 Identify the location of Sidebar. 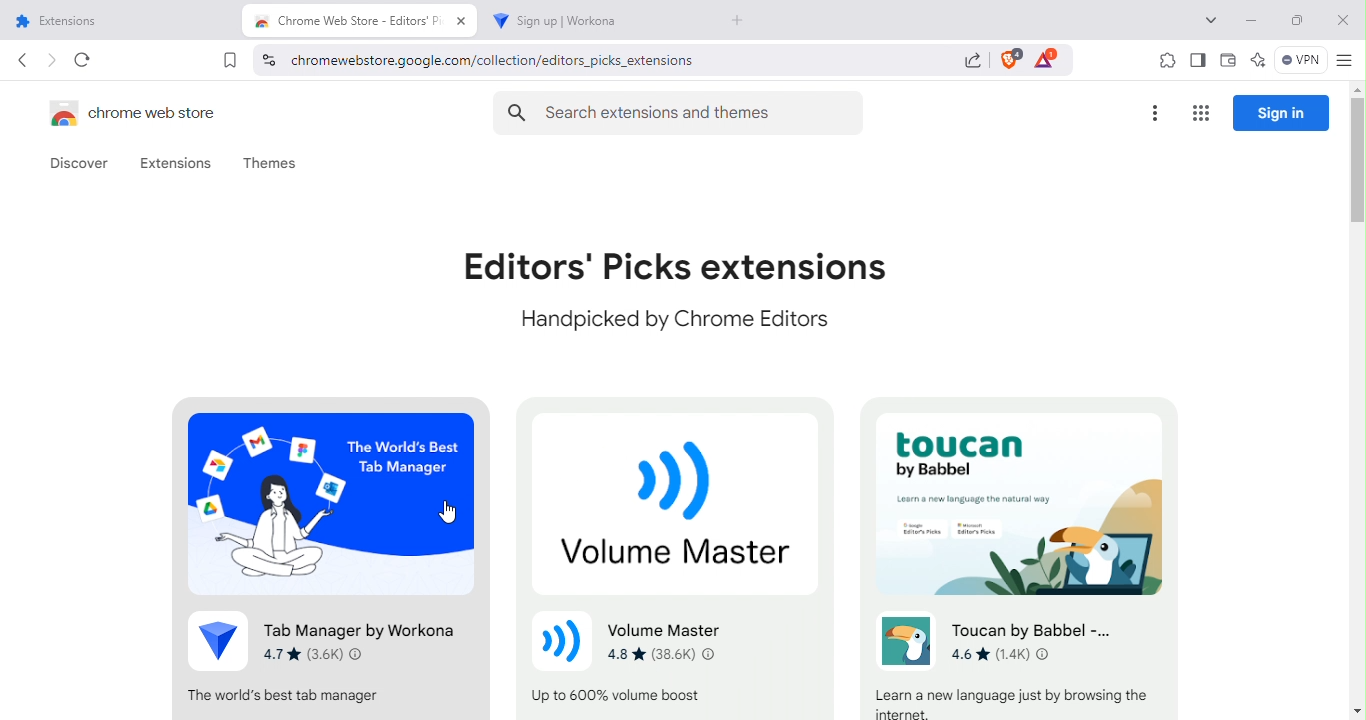
(1196, 60).